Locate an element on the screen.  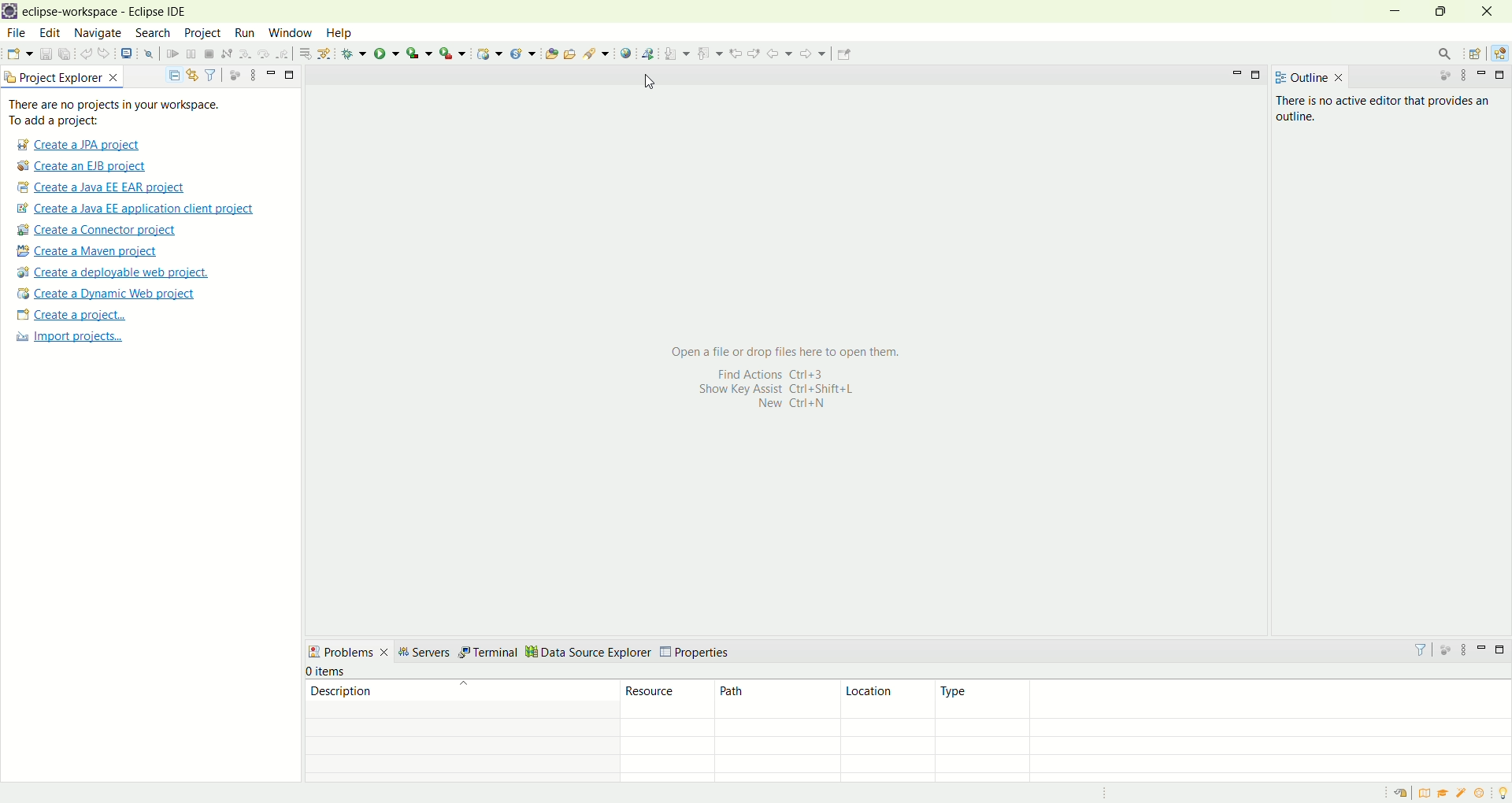
save is located at coordinates (47, 54).